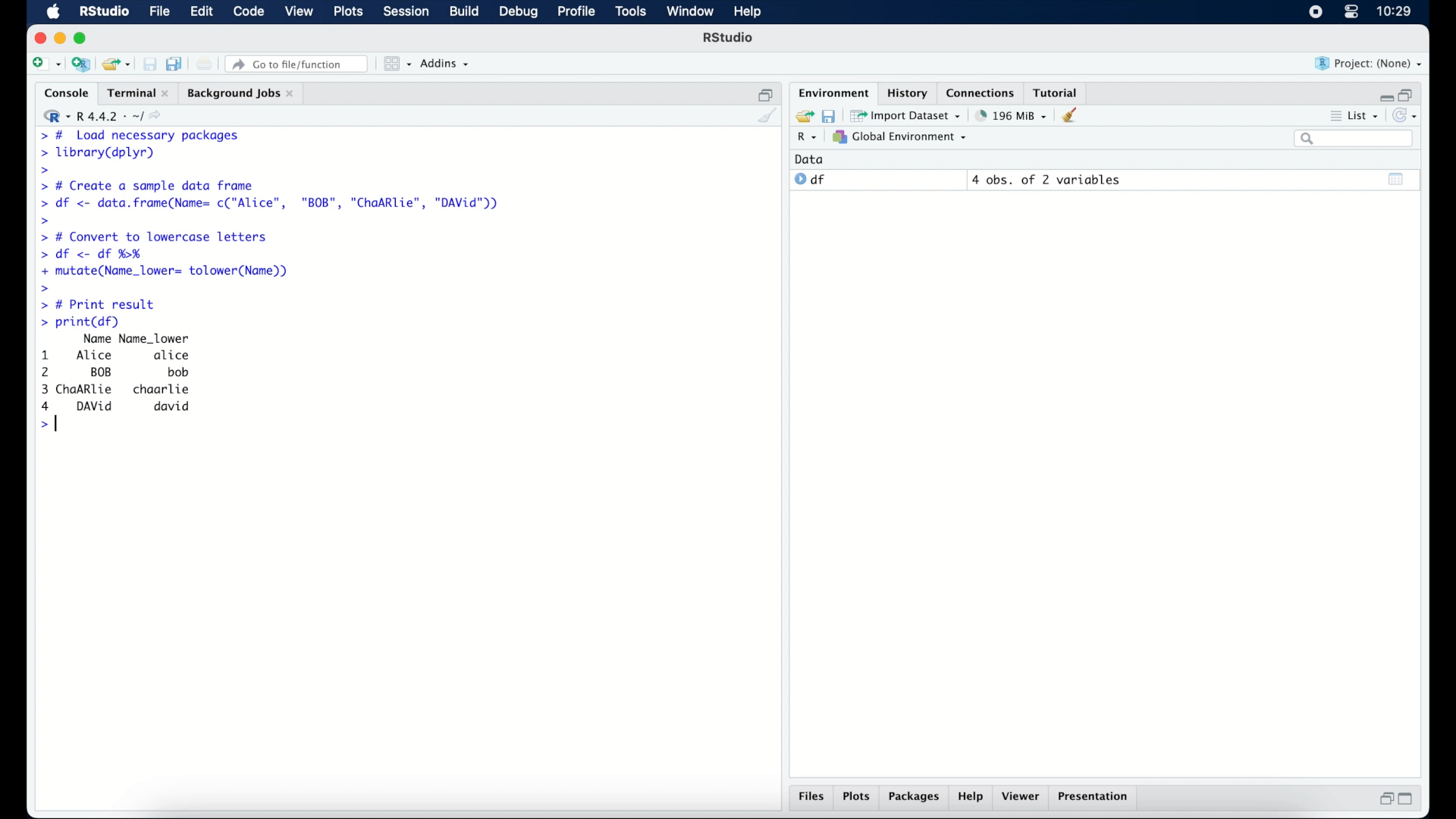 The image size is (1456, 819). What do you see at coordinates (463, 12) in the screenshot?
I see `build` at bounding box center [463, 12].